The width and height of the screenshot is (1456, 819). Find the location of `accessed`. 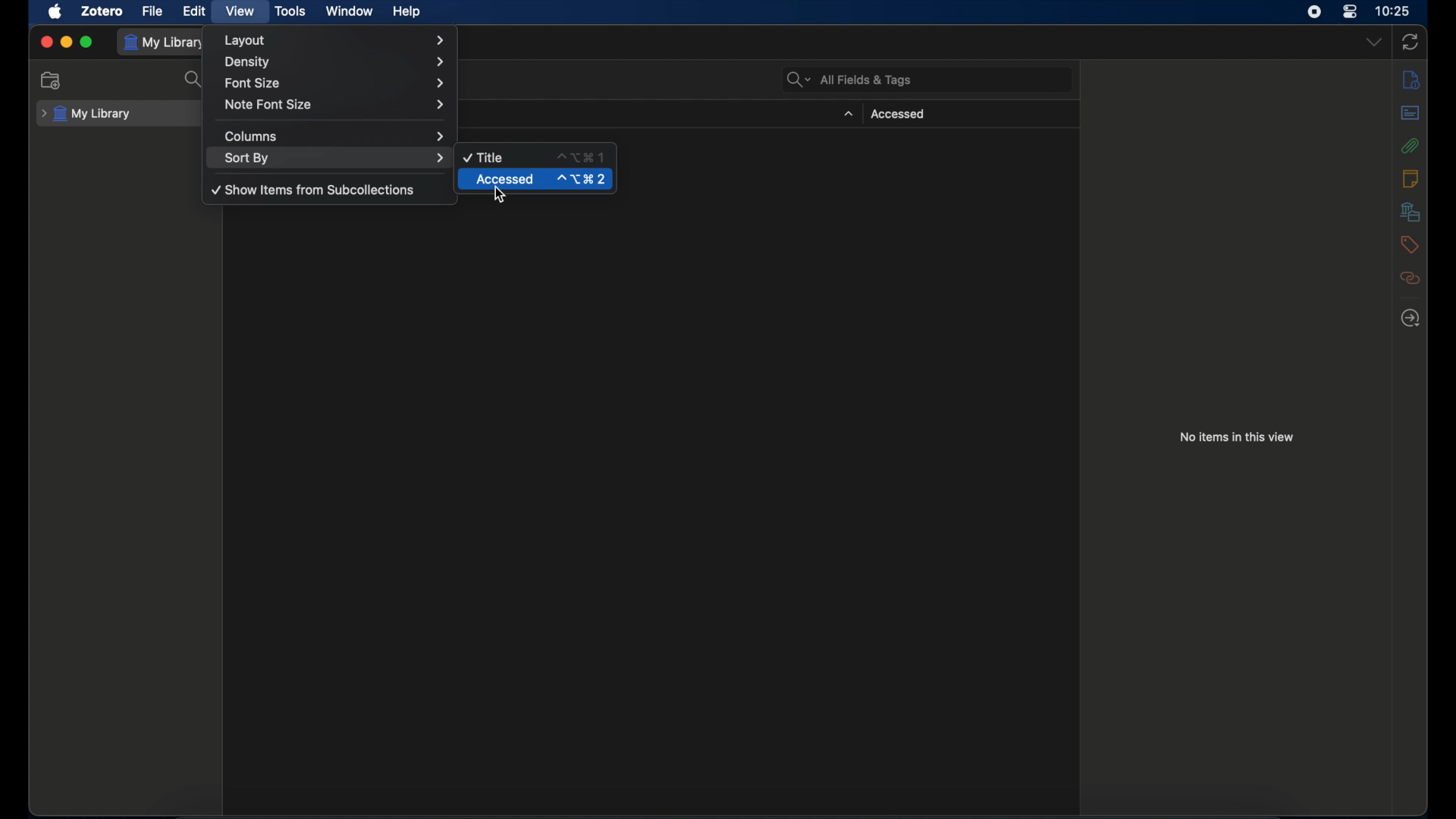

accessed is located at coordinates (898, 115).